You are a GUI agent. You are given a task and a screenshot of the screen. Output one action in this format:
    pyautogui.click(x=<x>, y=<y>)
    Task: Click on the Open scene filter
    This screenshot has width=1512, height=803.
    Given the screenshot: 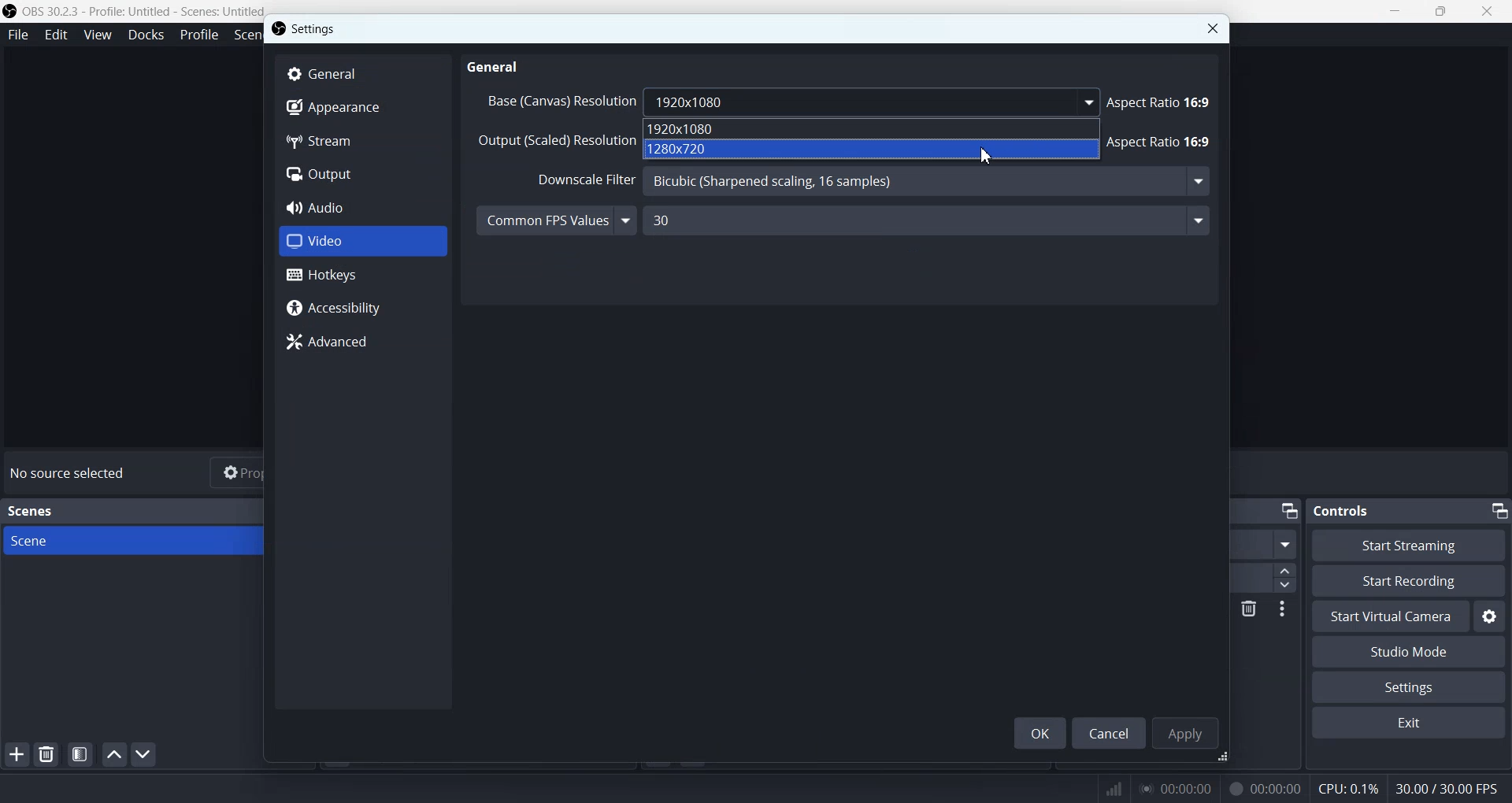 What is the action you would take?
    pyautogui.click(x=80, y=754)
    